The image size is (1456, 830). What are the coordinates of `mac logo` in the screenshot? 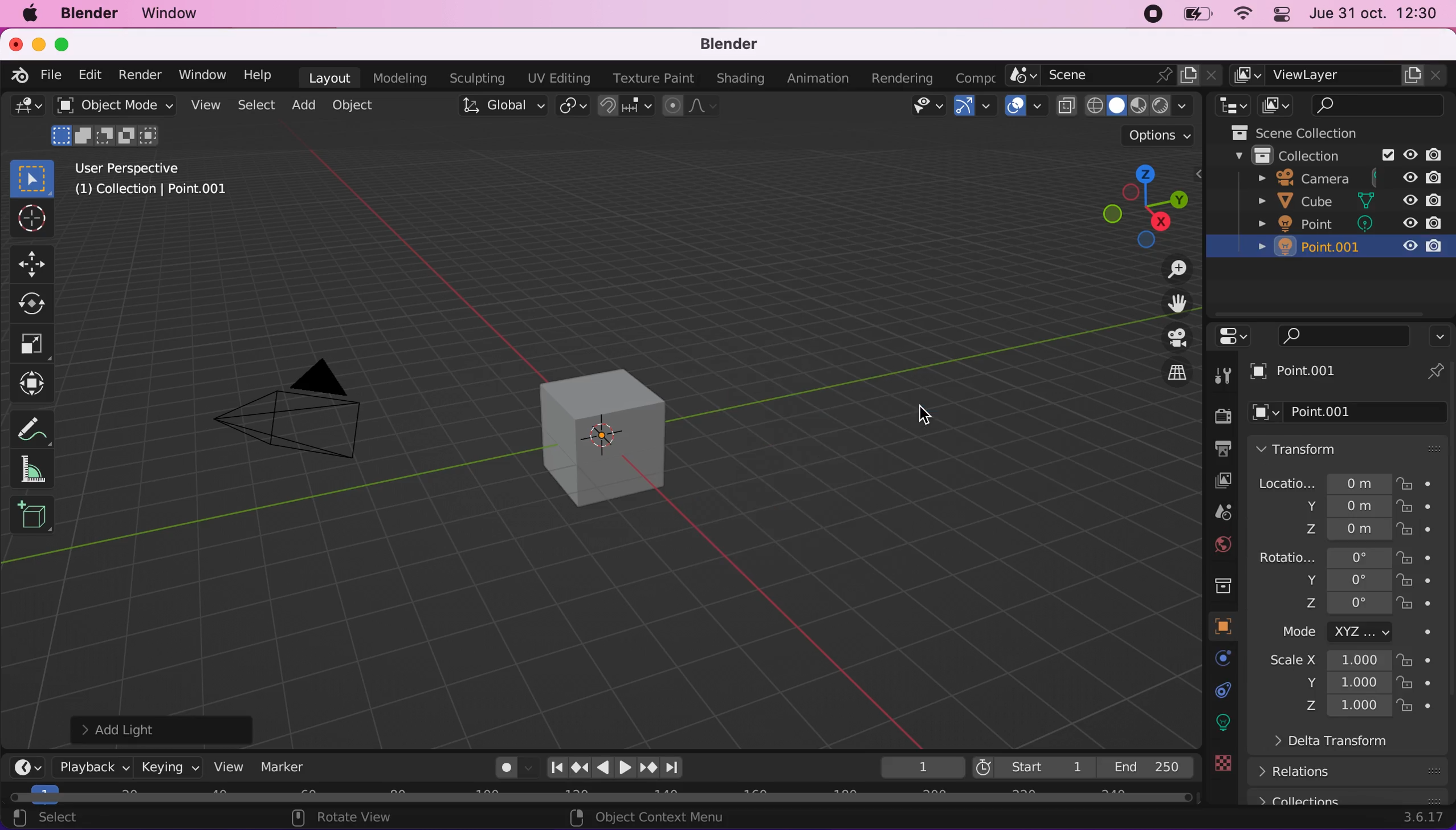 It's located at (32, 15).